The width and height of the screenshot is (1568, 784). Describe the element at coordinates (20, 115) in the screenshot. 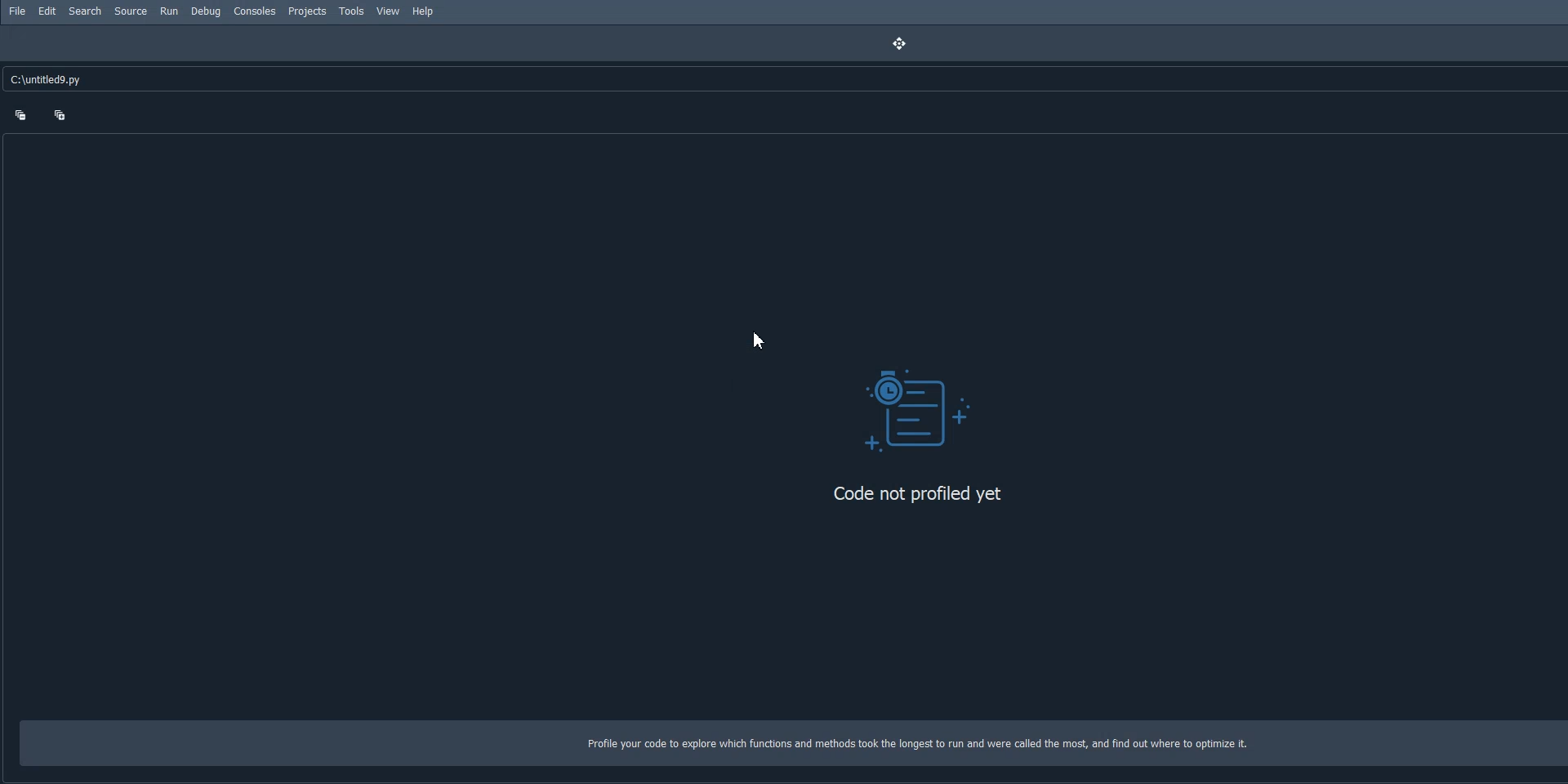

I see `Collapse one level up` at that location.